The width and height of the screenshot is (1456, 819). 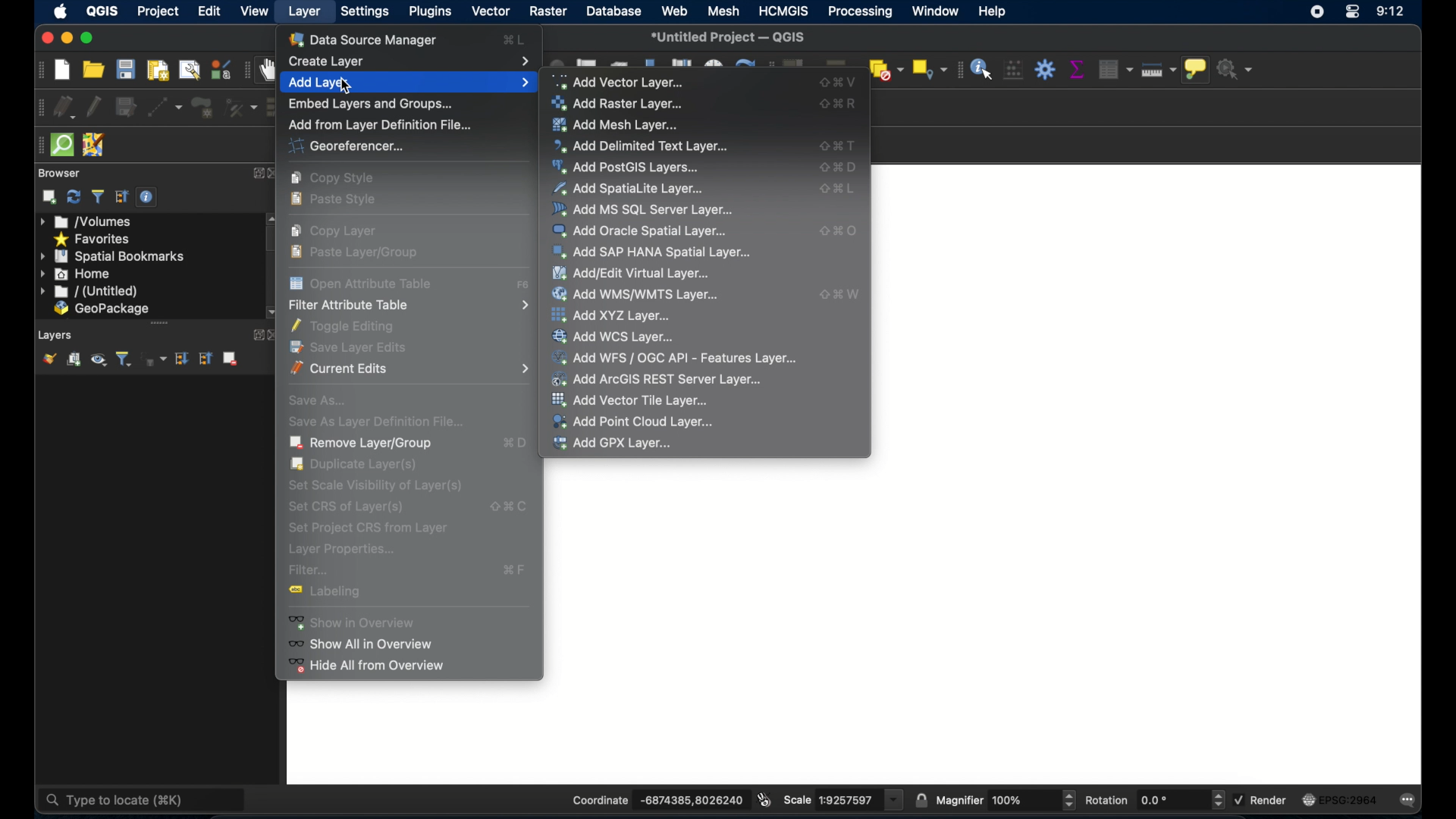 What do you see at coordinates (1411, 801) in the screenshot?
I see `messages` at bounding box center [1411, 801].